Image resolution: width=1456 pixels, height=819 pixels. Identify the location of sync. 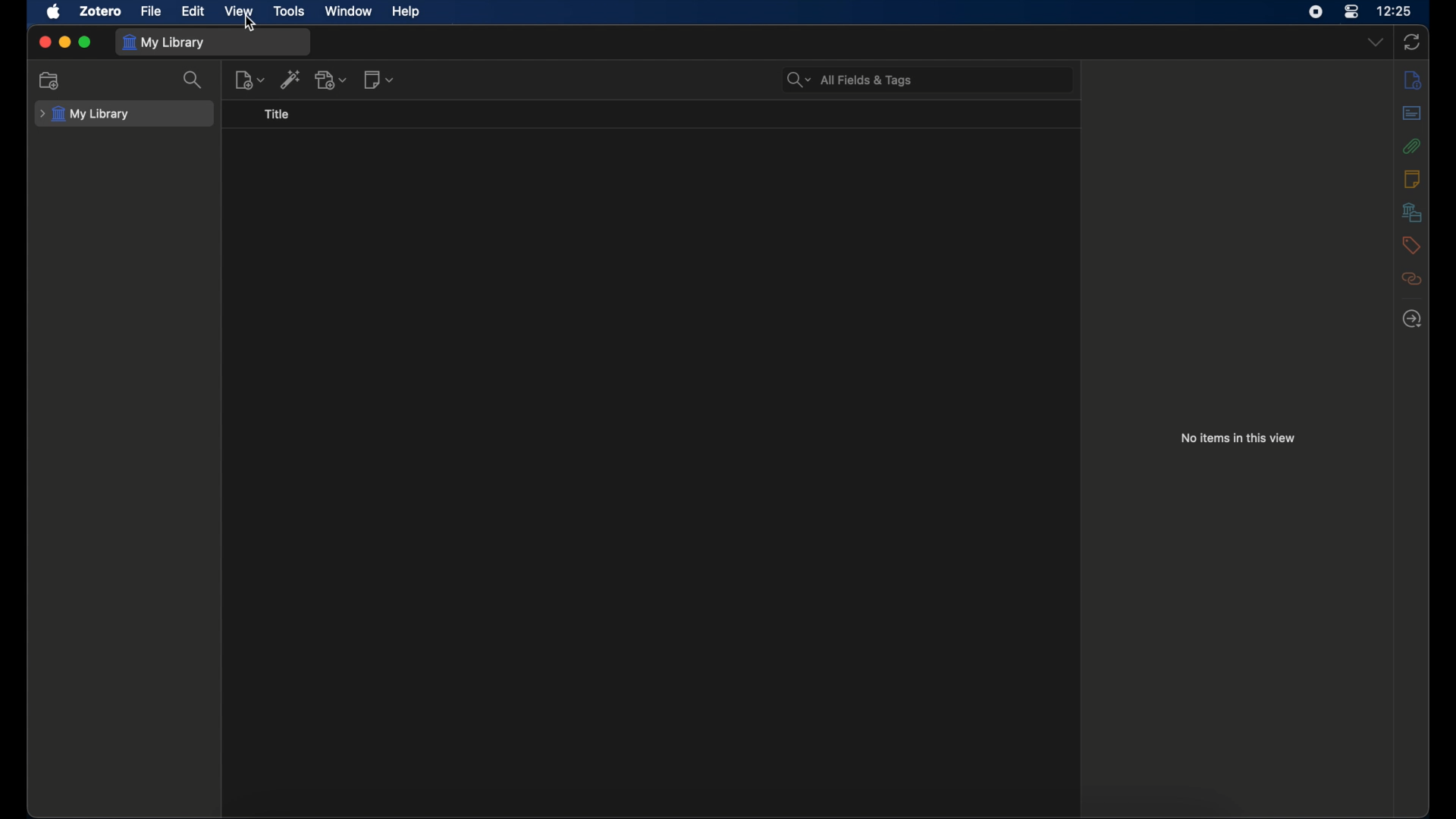
(1412, 42).